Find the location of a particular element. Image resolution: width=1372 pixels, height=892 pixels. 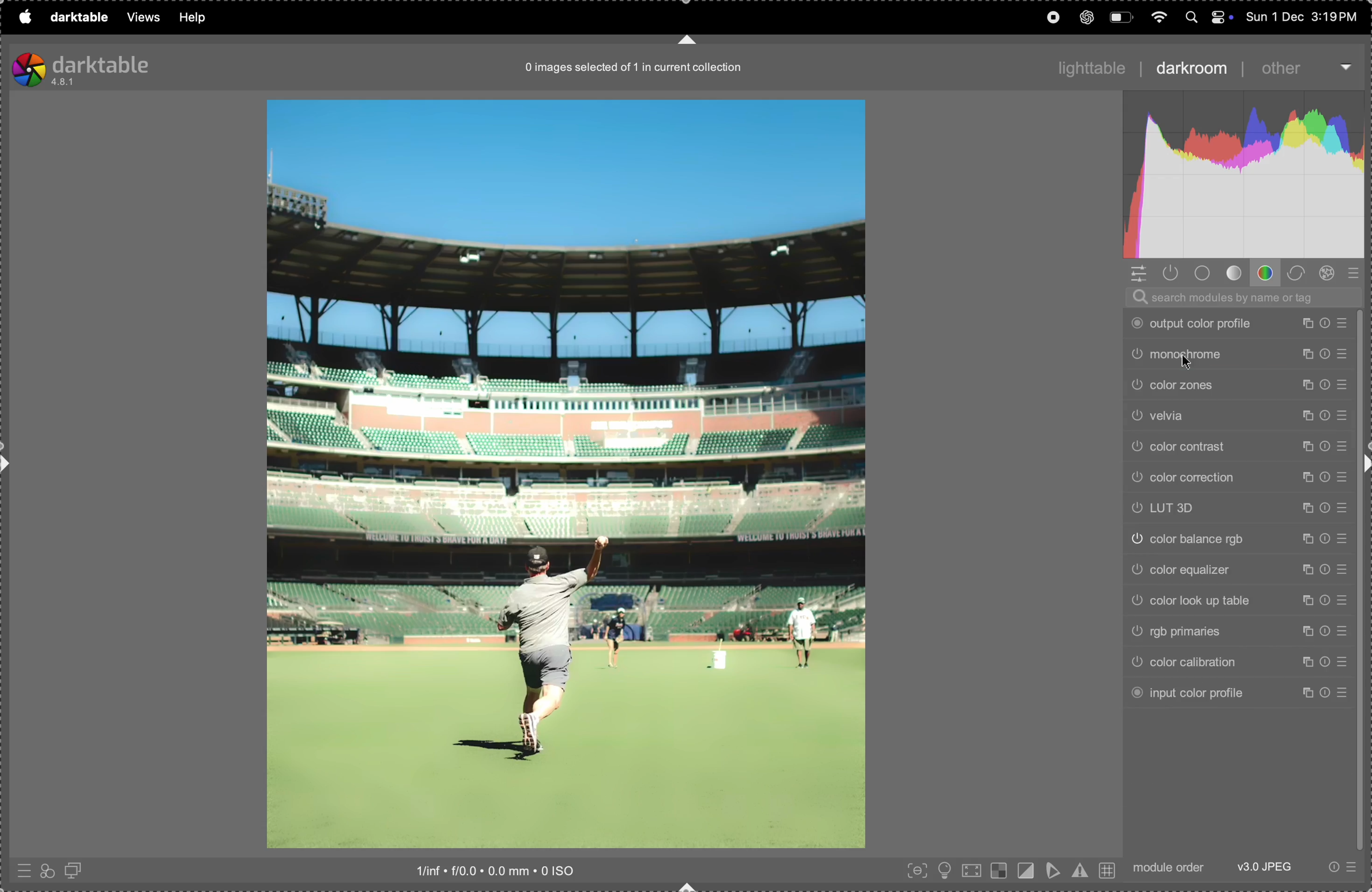

color full image is located at coordinates (564, 475).